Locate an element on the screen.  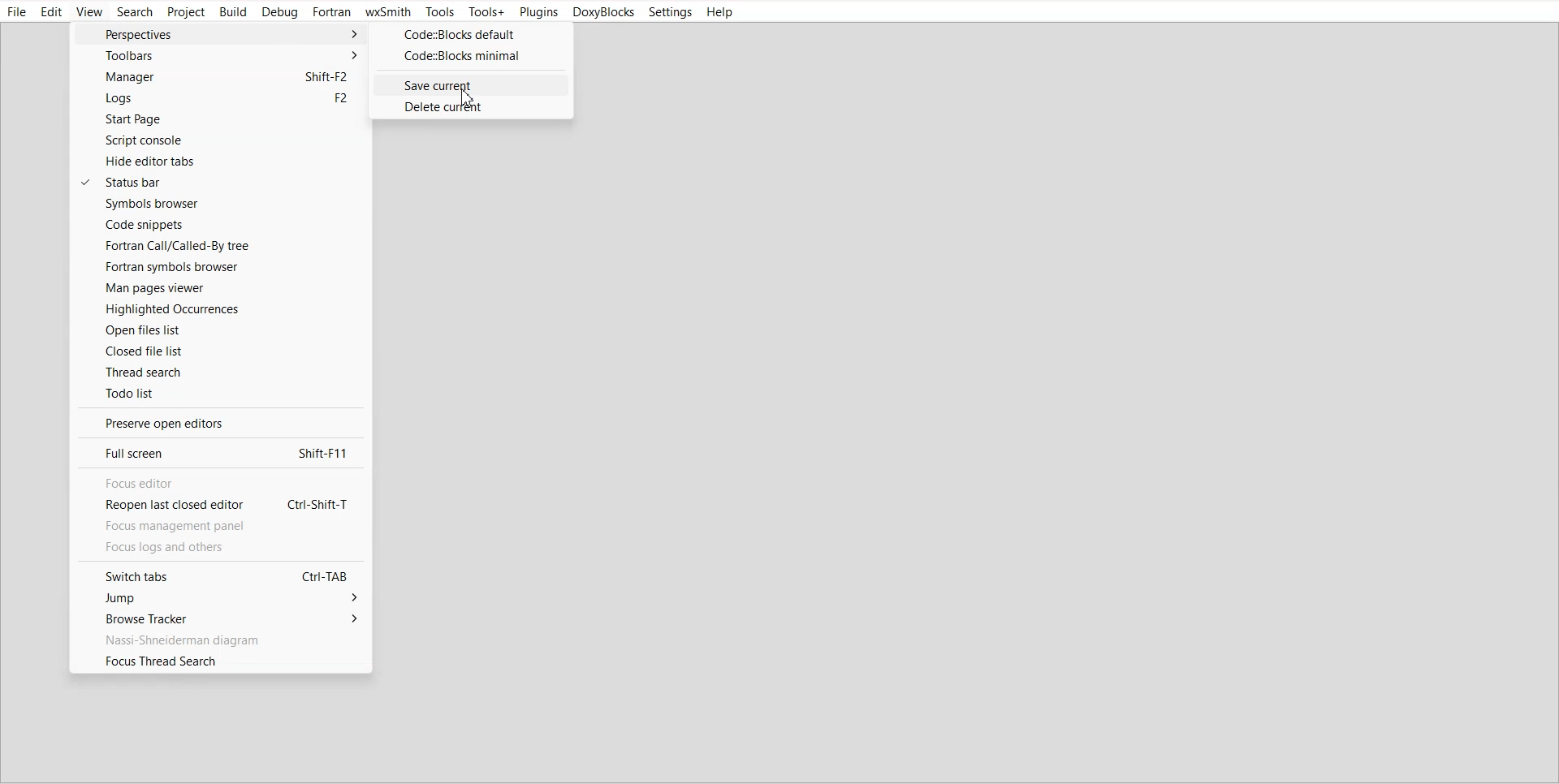
Tools+ is located at coordinates (486, 12).